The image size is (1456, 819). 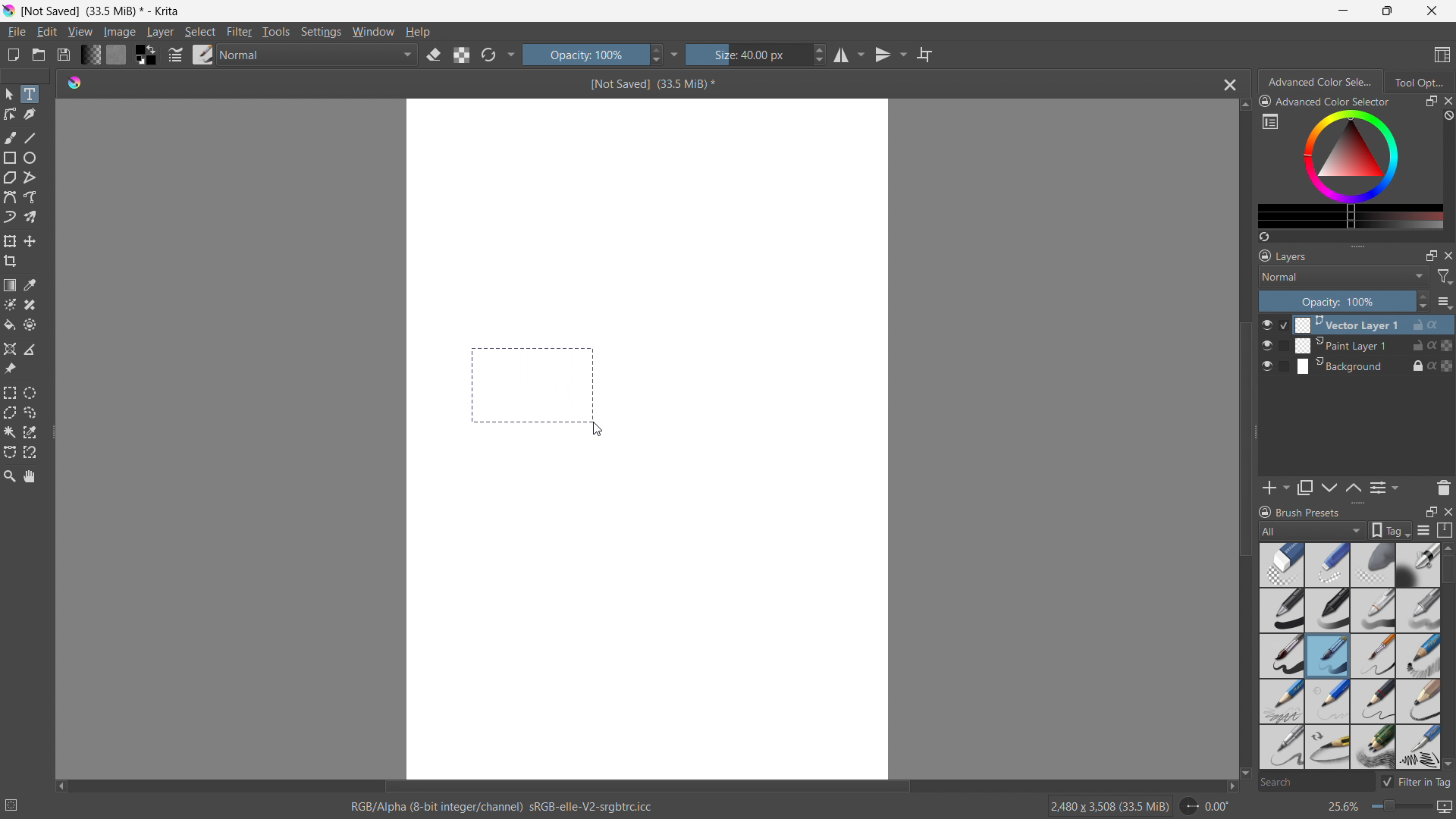 What do you see at coordinates (10, 413) in the screenshot?
I see `polygonal selection tool` at bounding box center [10, 413].